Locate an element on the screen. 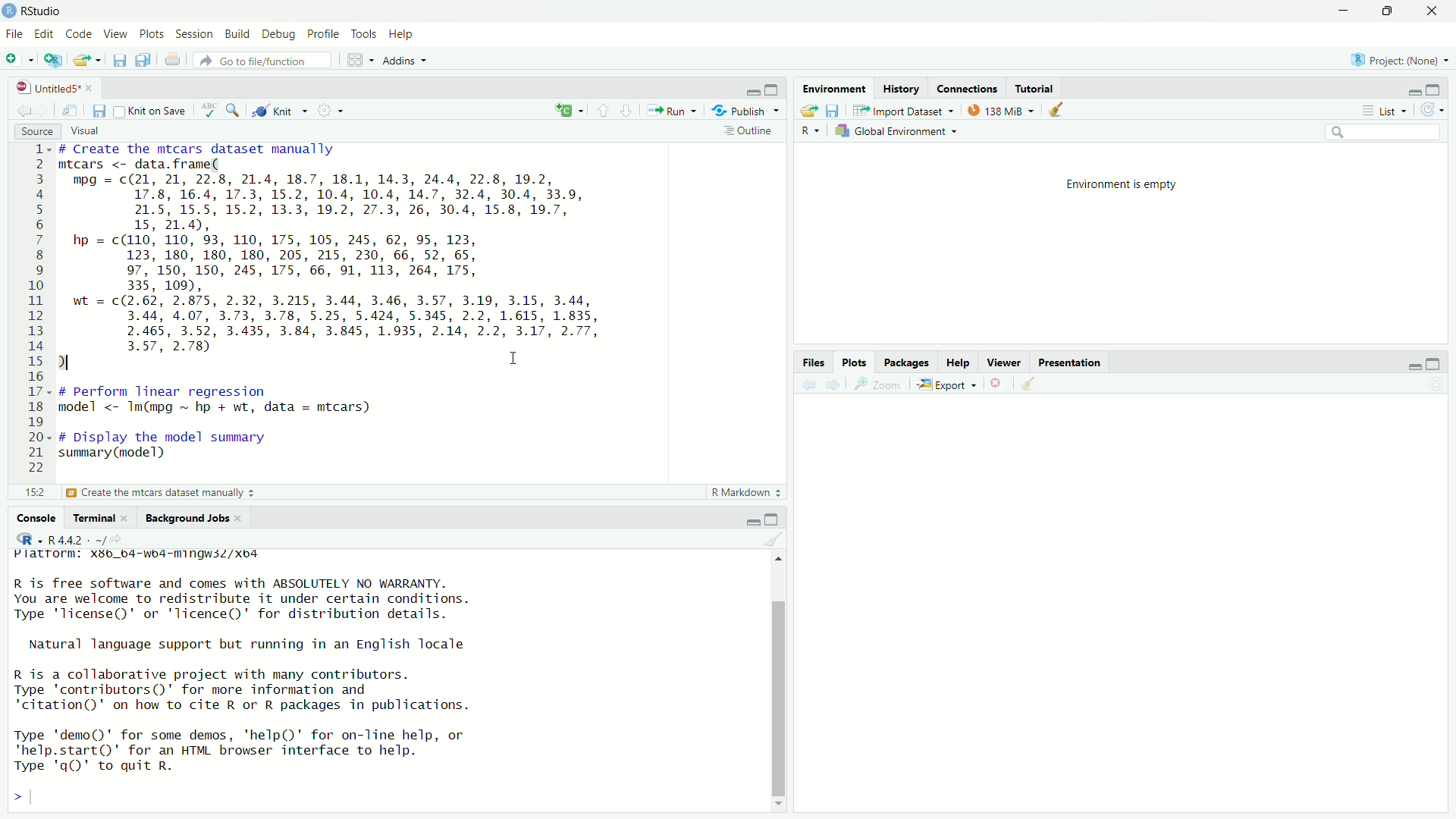 This screenshot has height=819, width=1456. Tutorial is located at coordinates (1034, 90).